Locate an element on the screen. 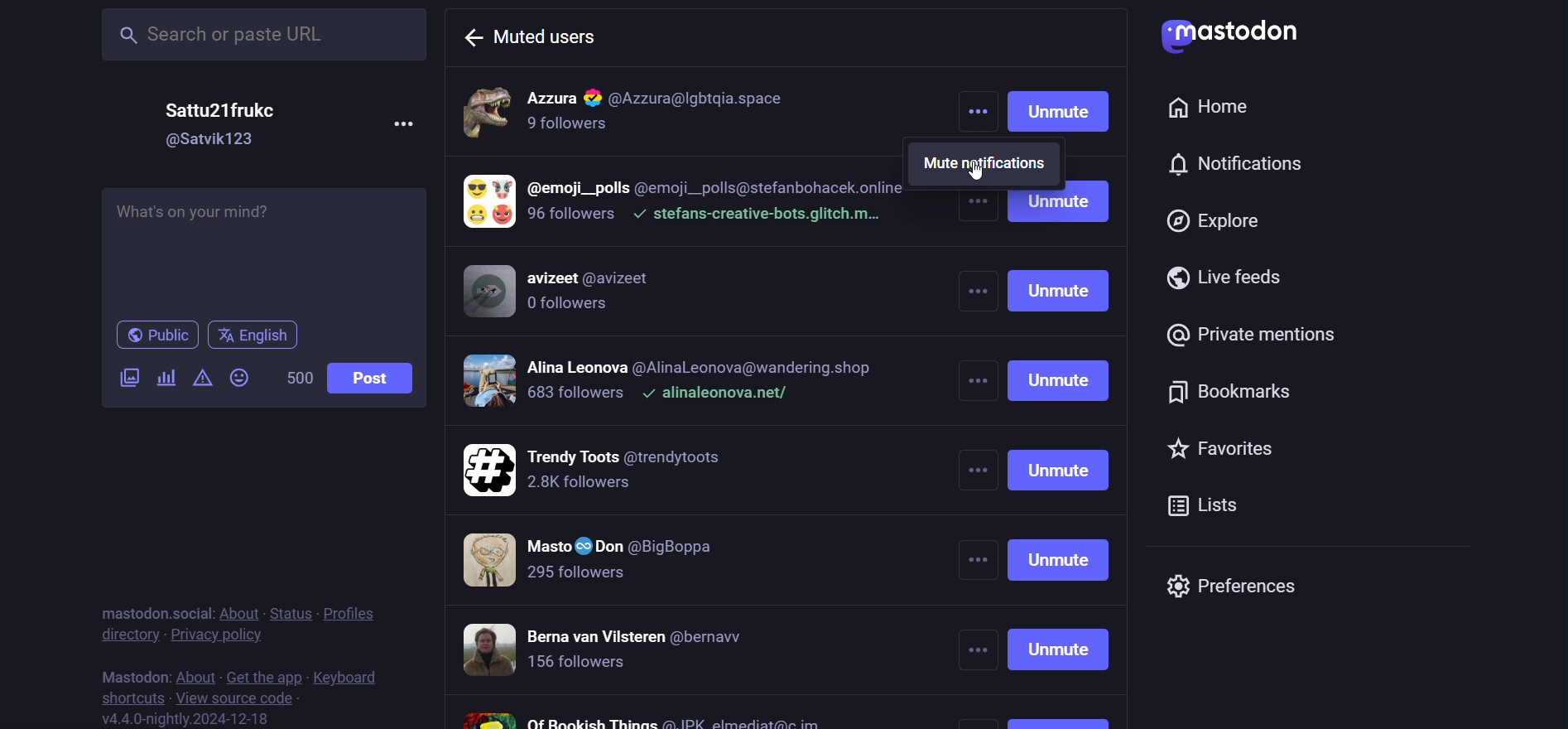 This screenshot has height=729, width=1568. mastodon is located at coordinates (129, 676).